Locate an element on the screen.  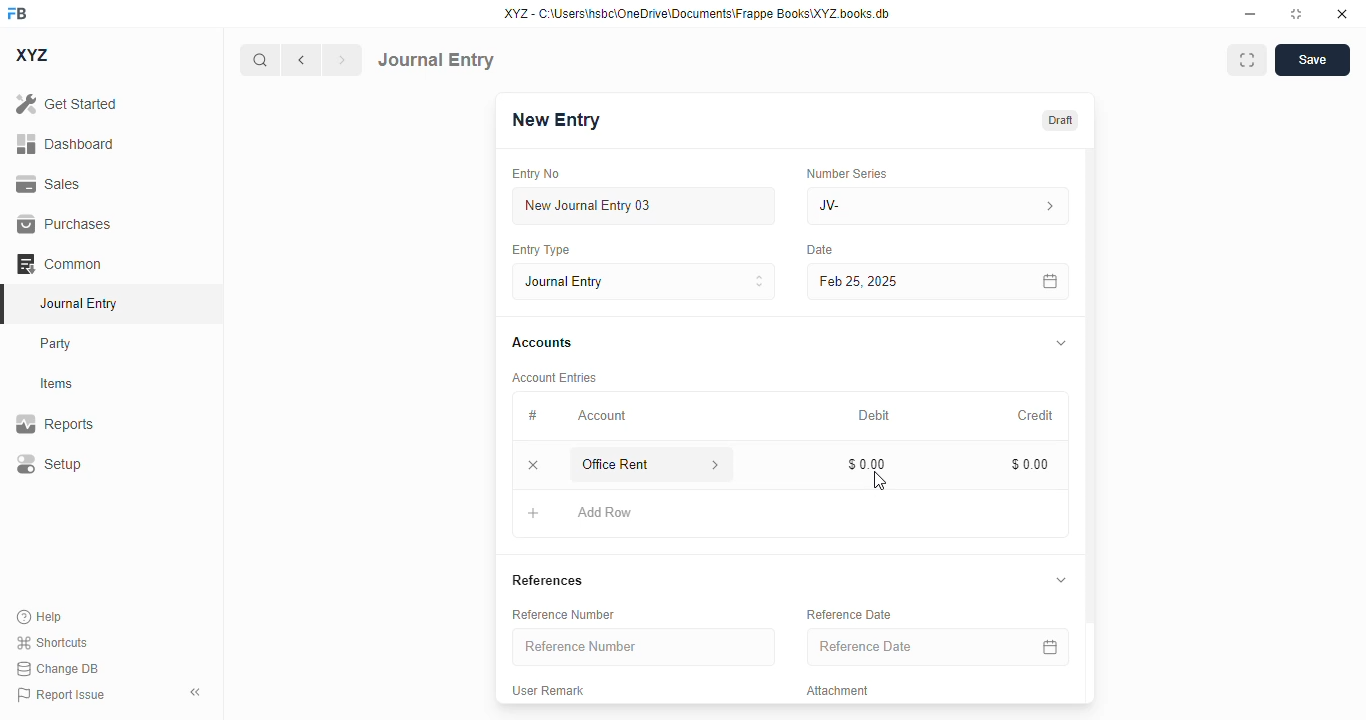
account is located at coordinates (602, 416).